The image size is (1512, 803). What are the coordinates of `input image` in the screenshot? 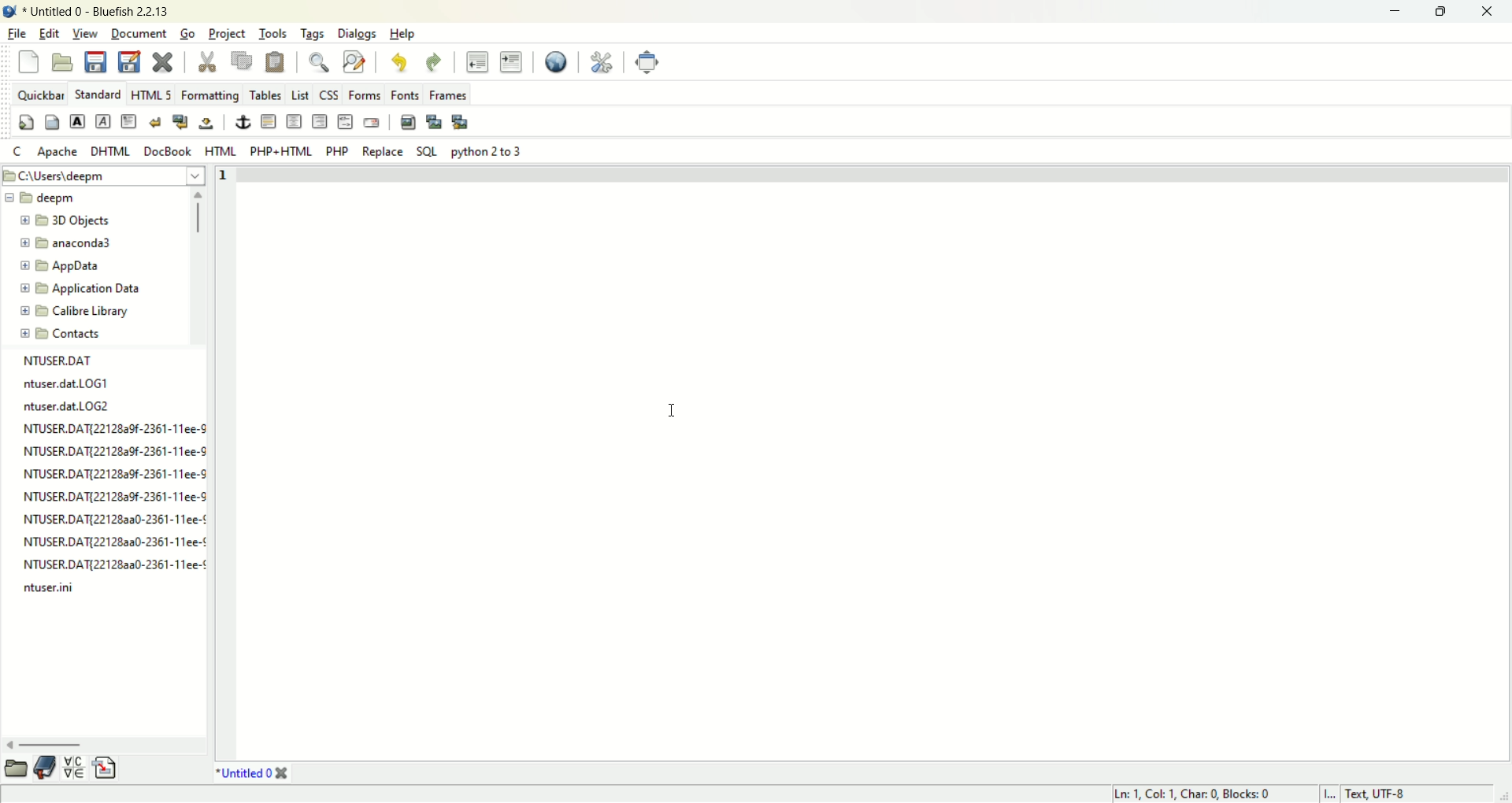 It's located at (409, 122).